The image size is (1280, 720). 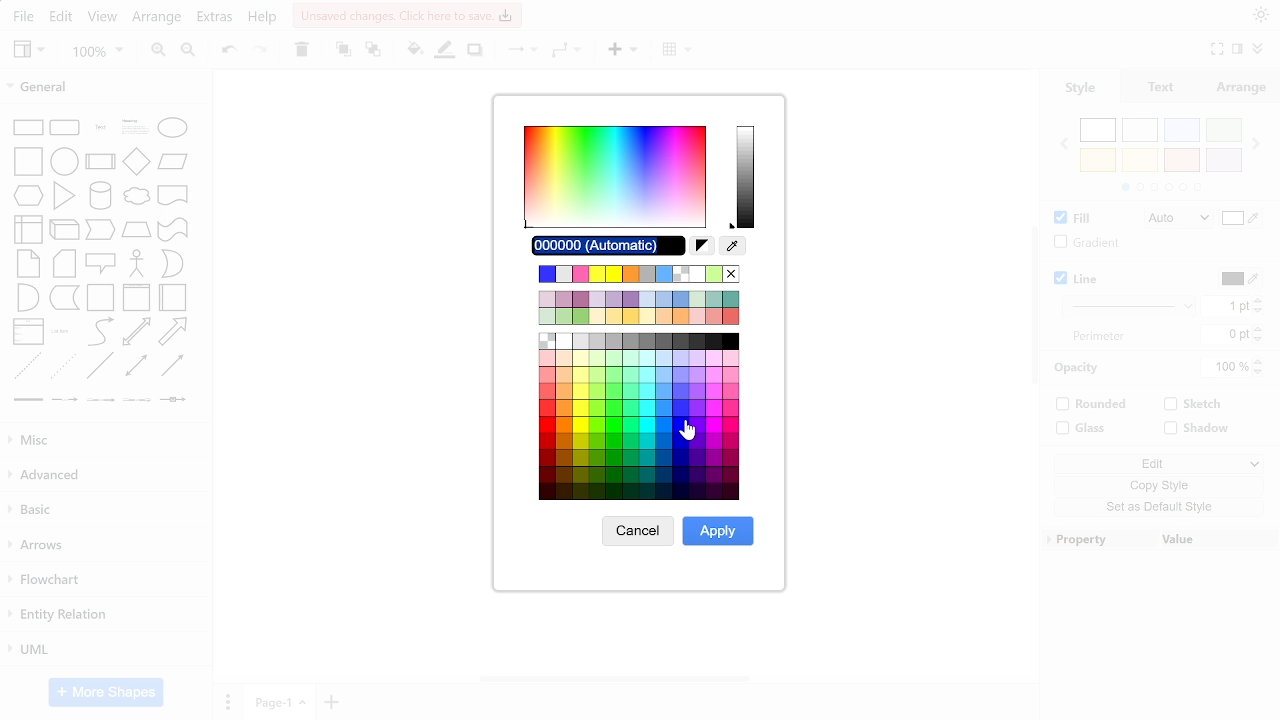 I want to click on cancel, so click(x=638, y=531).